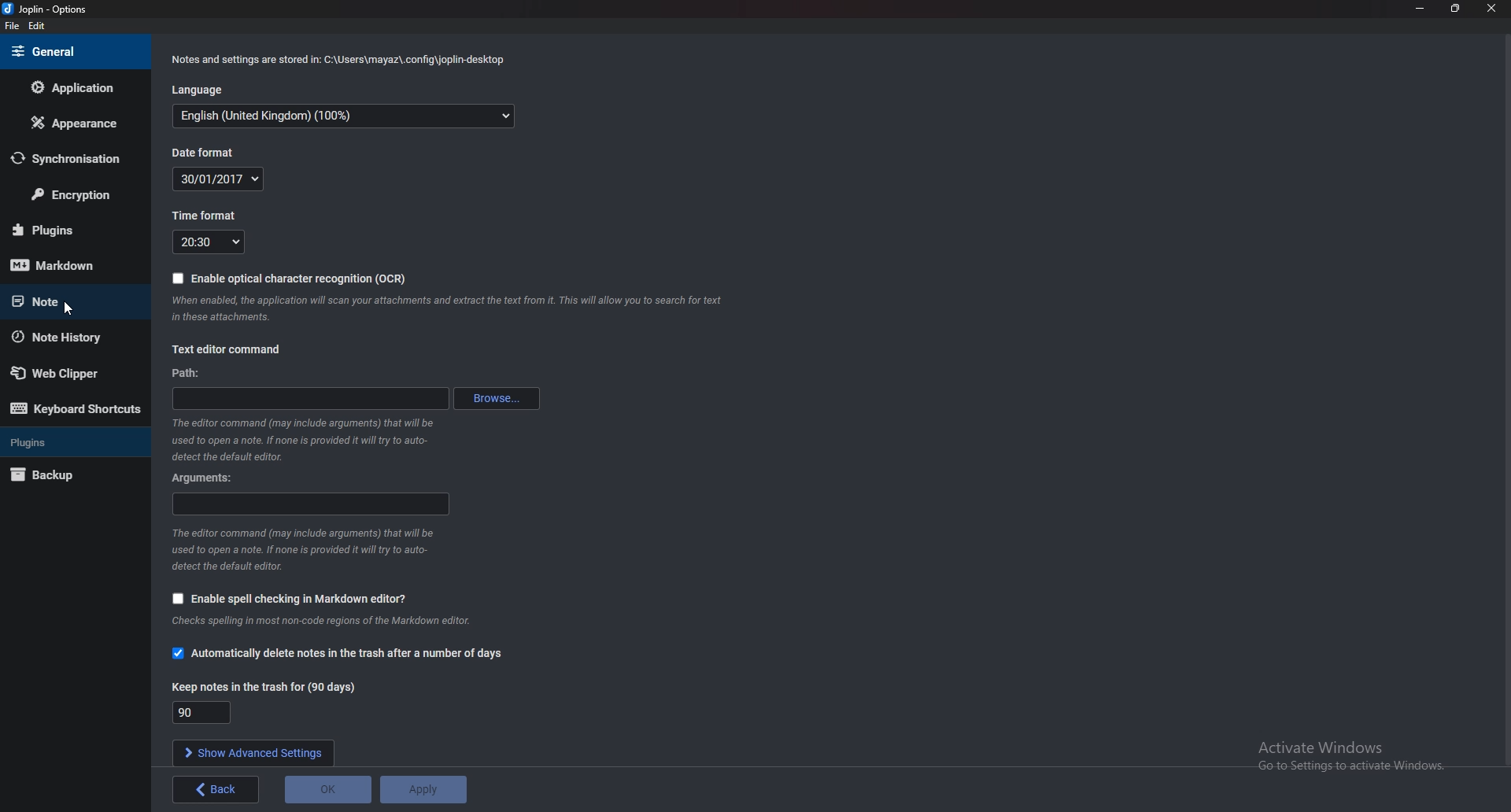 The image size is (1511, 812). What do you see at coordinates (1491, 9) in the screenshot?
I see `close` at bounding box center [1491, 9].